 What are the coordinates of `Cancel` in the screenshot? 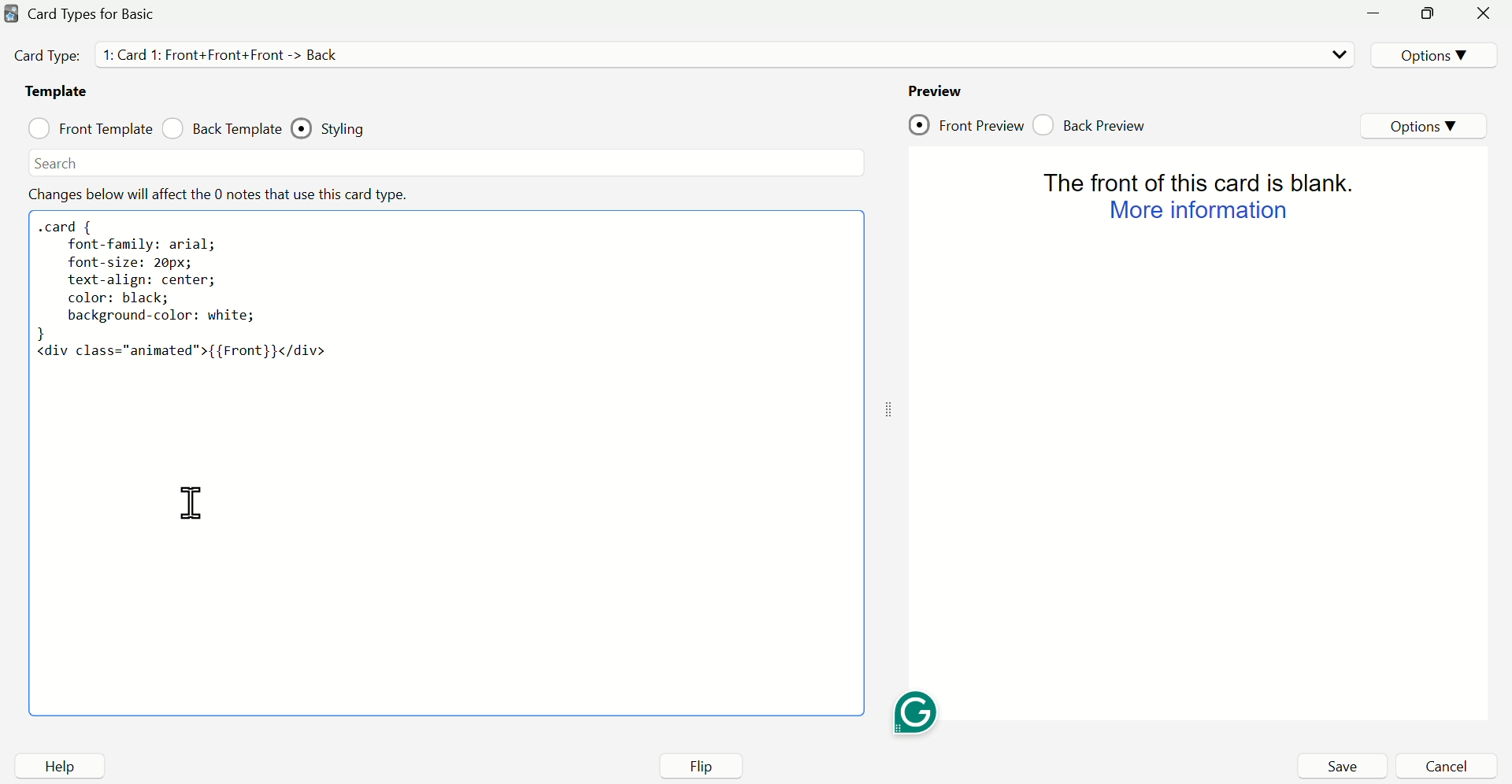 It's located at (1447, 766).